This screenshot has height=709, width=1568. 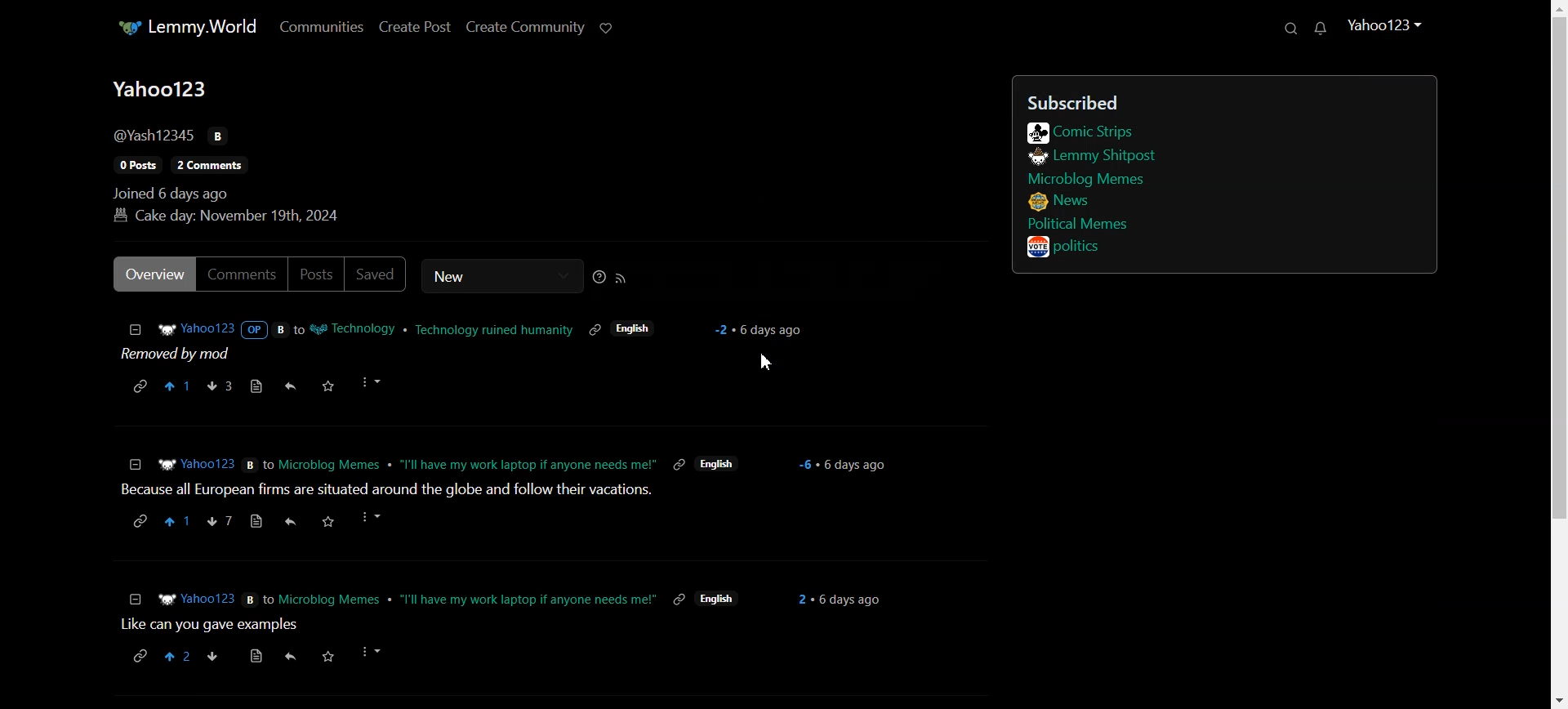 I want to click on Support Limmy, so click(x=608, y=28).